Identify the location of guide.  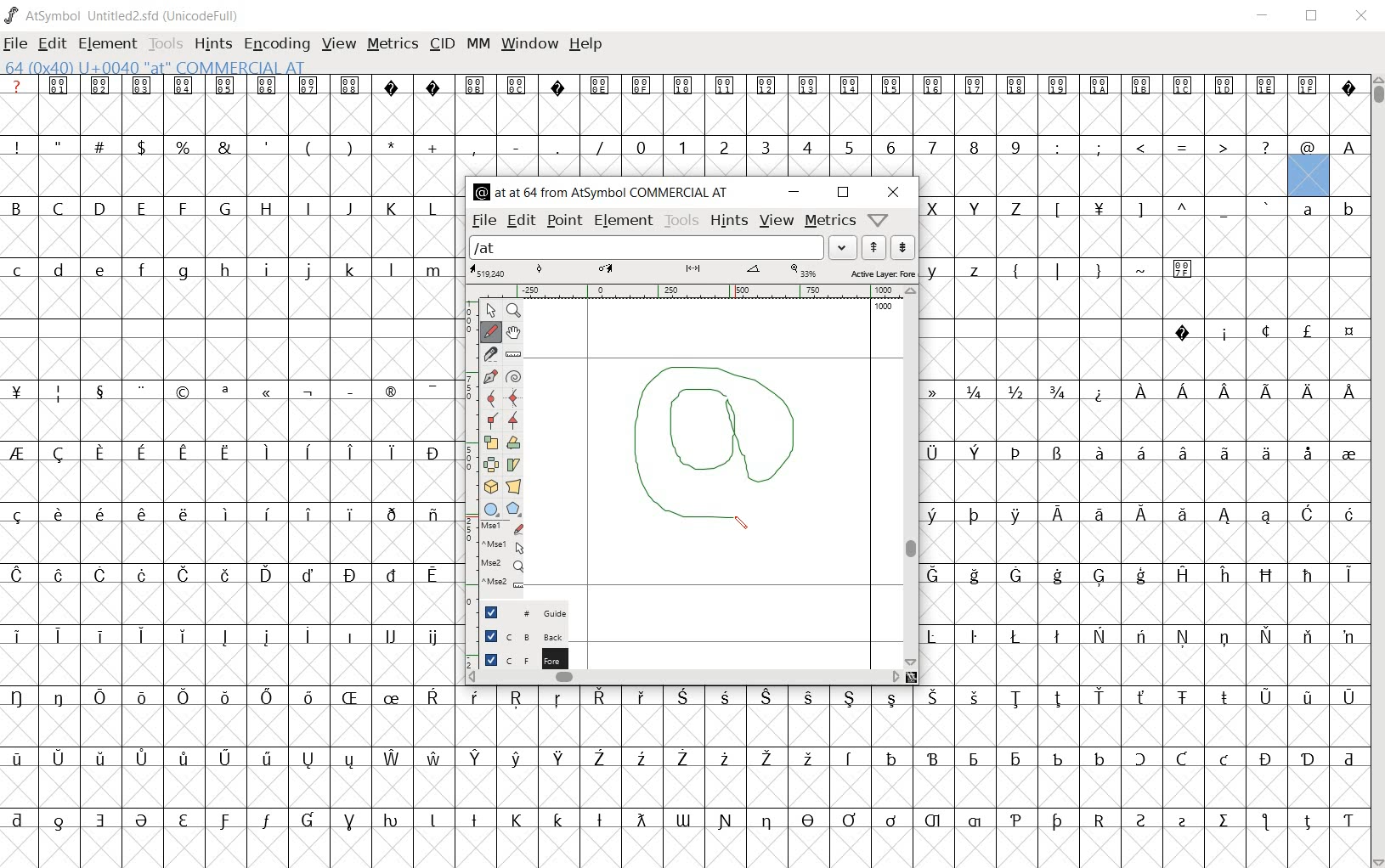
(540, 613).